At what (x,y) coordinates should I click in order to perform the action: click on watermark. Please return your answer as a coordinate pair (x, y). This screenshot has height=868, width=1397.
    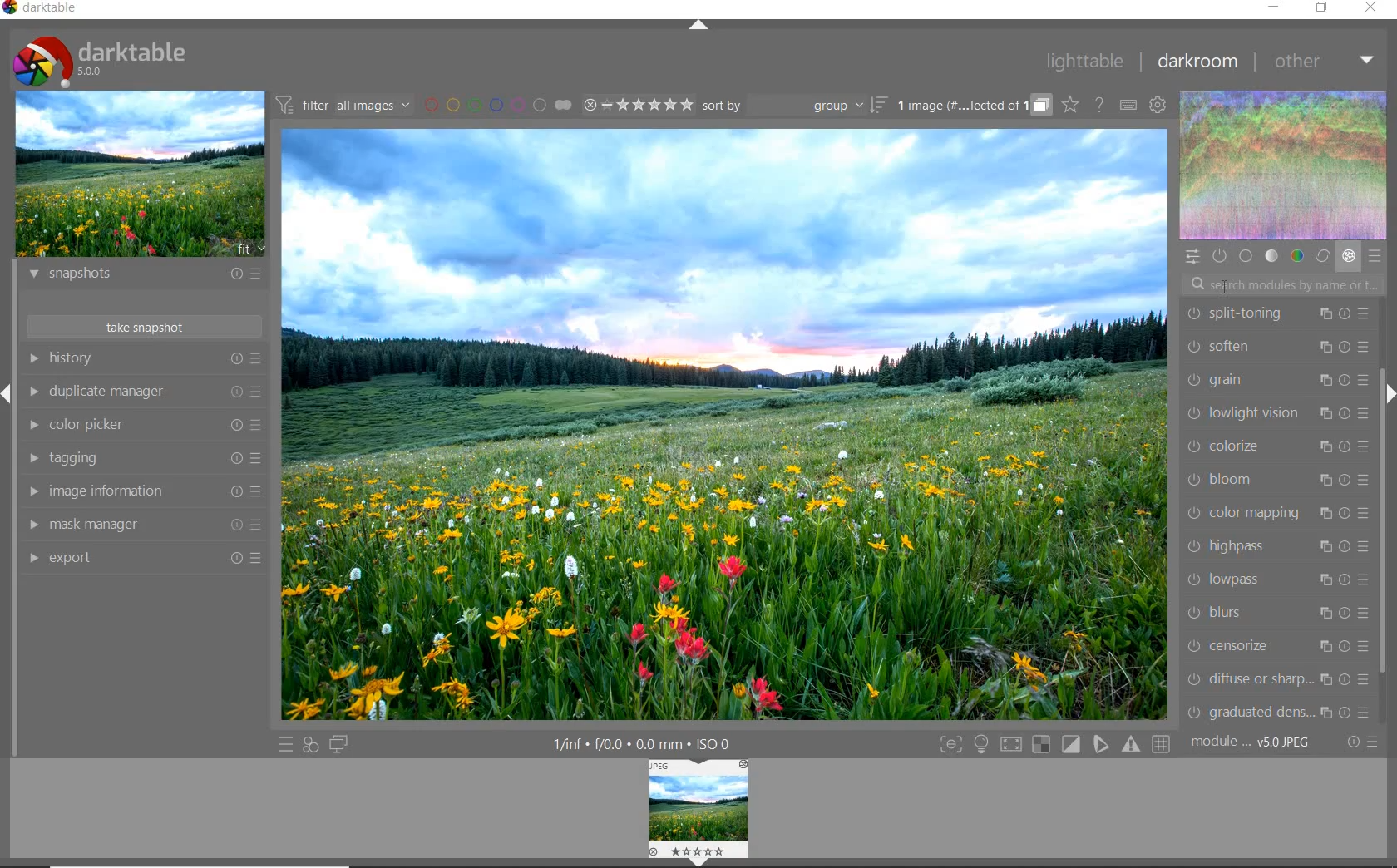
    Looking at the image, I should click on (1284, 284).